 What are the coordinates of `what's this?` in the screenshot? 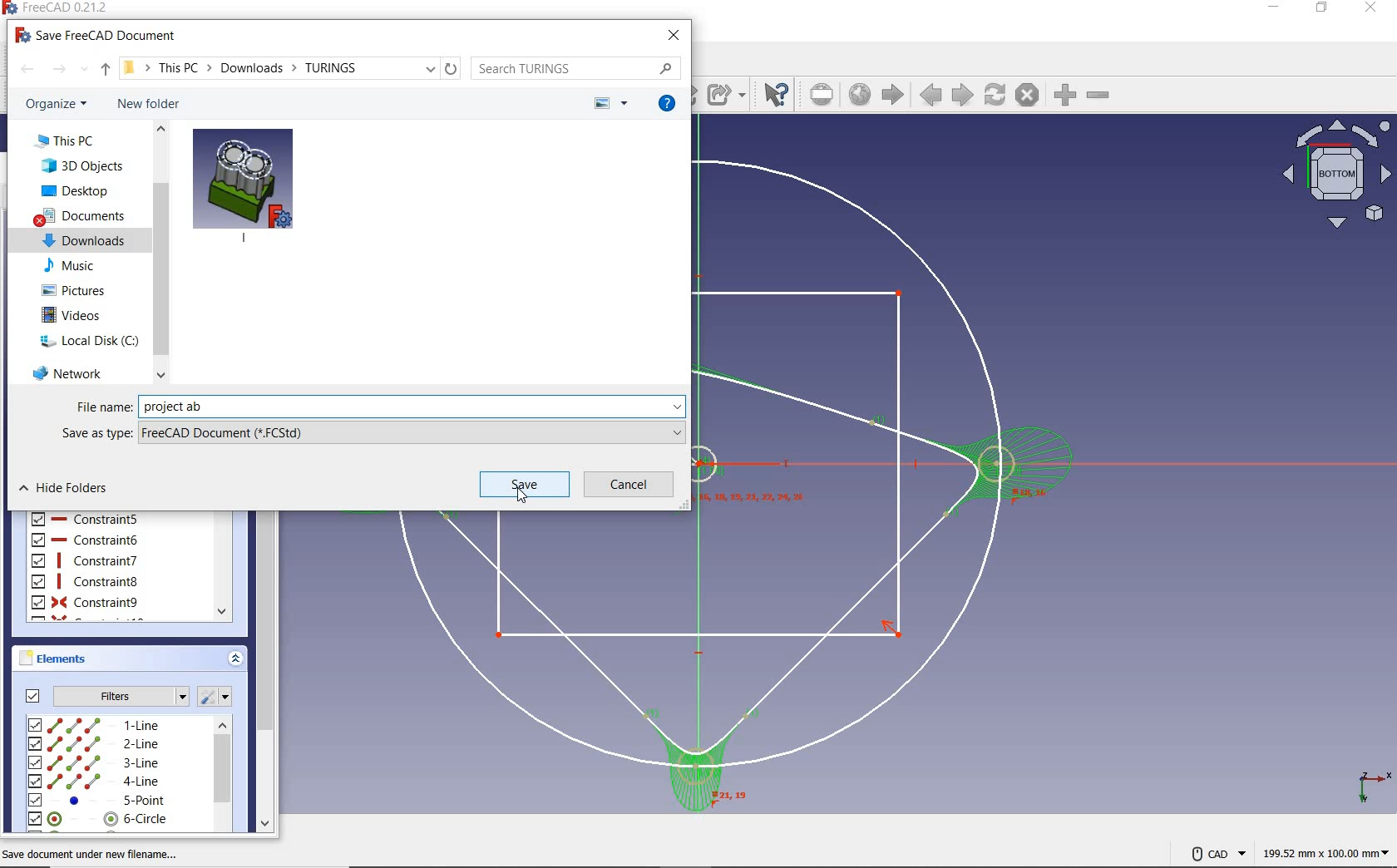 It's located at (775, 95).